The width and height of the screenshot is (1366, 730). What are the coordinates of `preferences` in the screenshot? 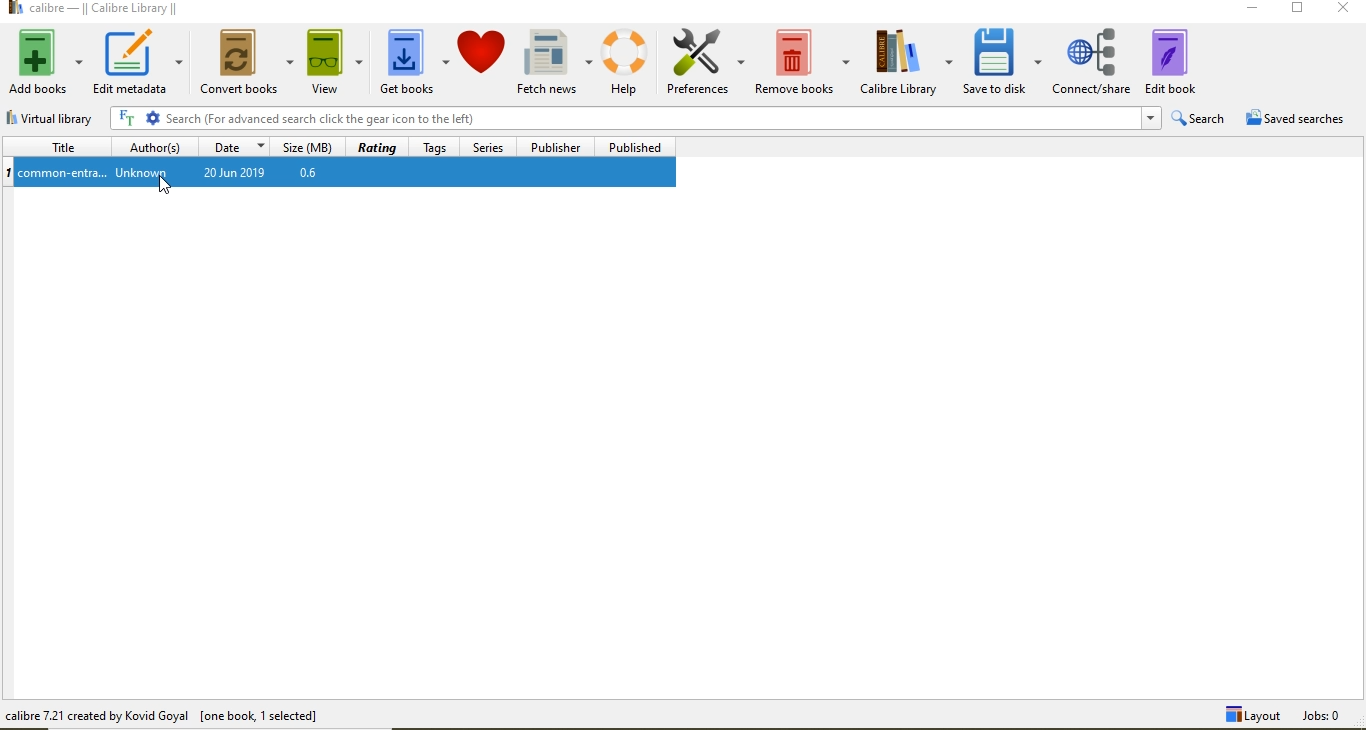 It's located at (707, 61).